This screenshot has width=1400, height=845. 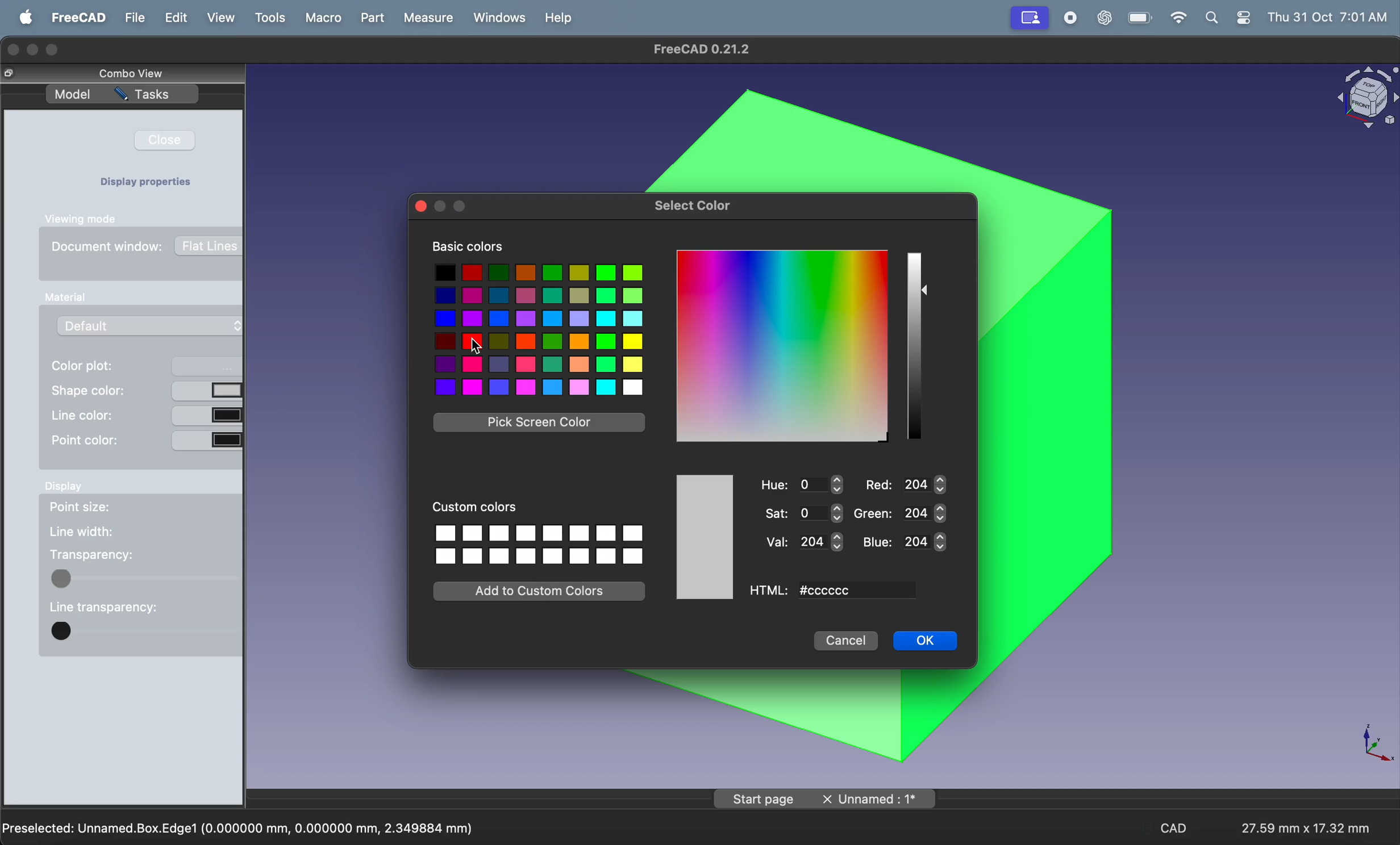 What do you see at coordinates (272, 18) in the screenshot?
I see `tools` at bounding box center [272, 18].